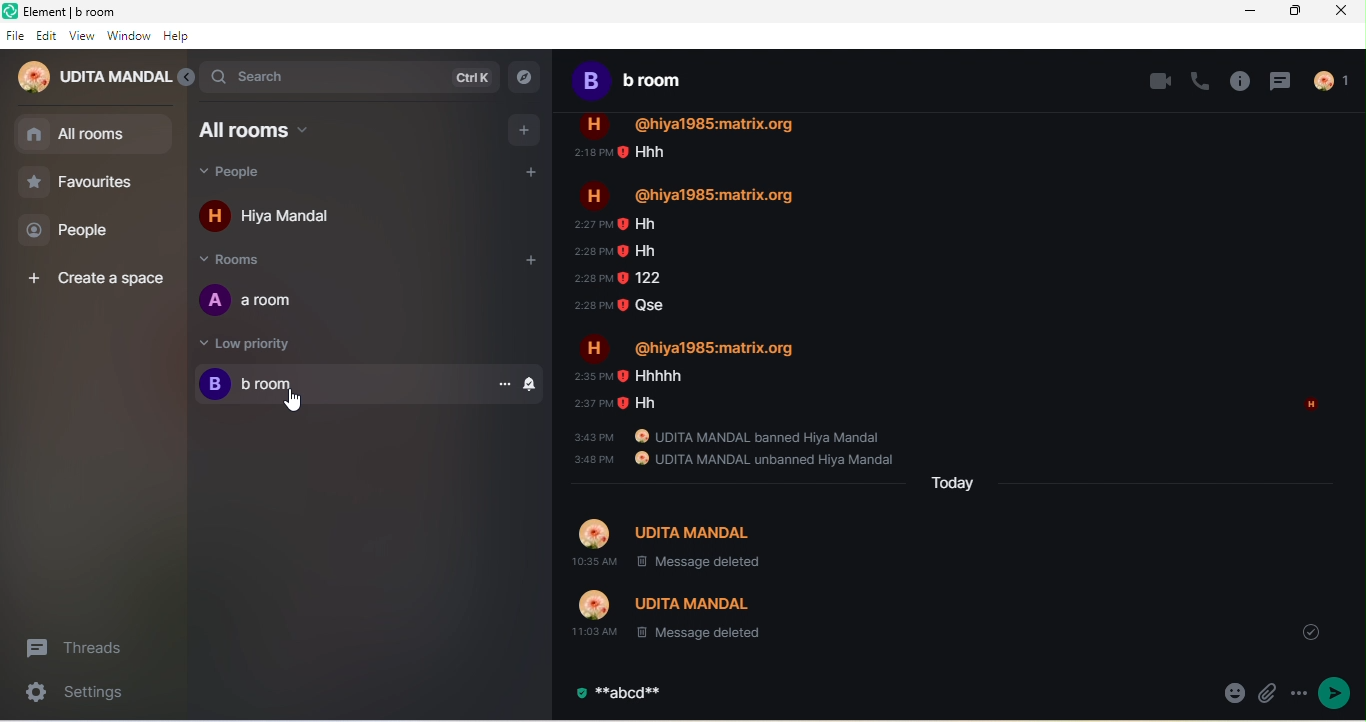  Describe the element at coordinates (531, 79) in the screenshot. I see `explore` at that location.